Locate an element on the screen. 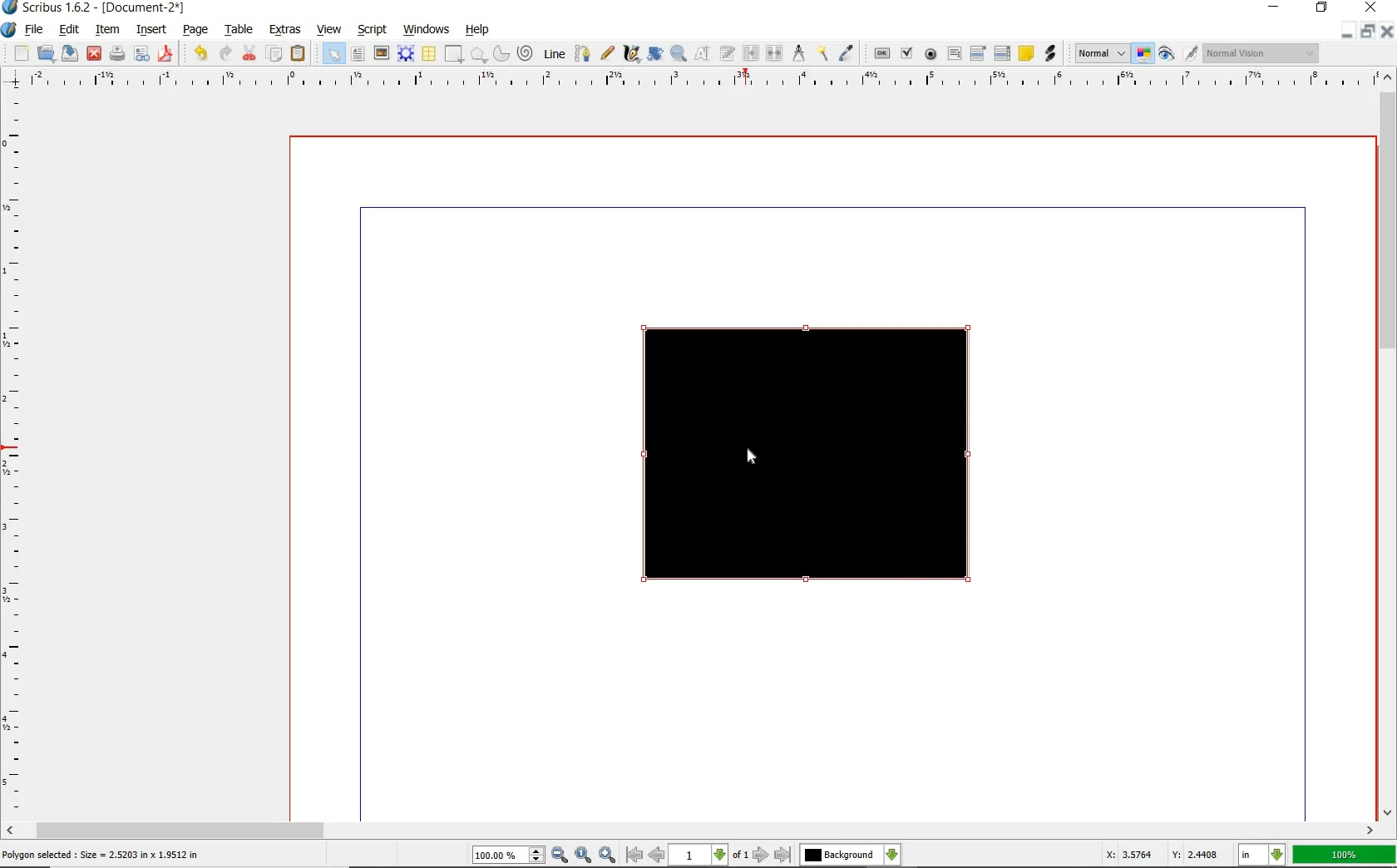 The image size is (1397, 868). system logo is located at coordinates (10, 31).